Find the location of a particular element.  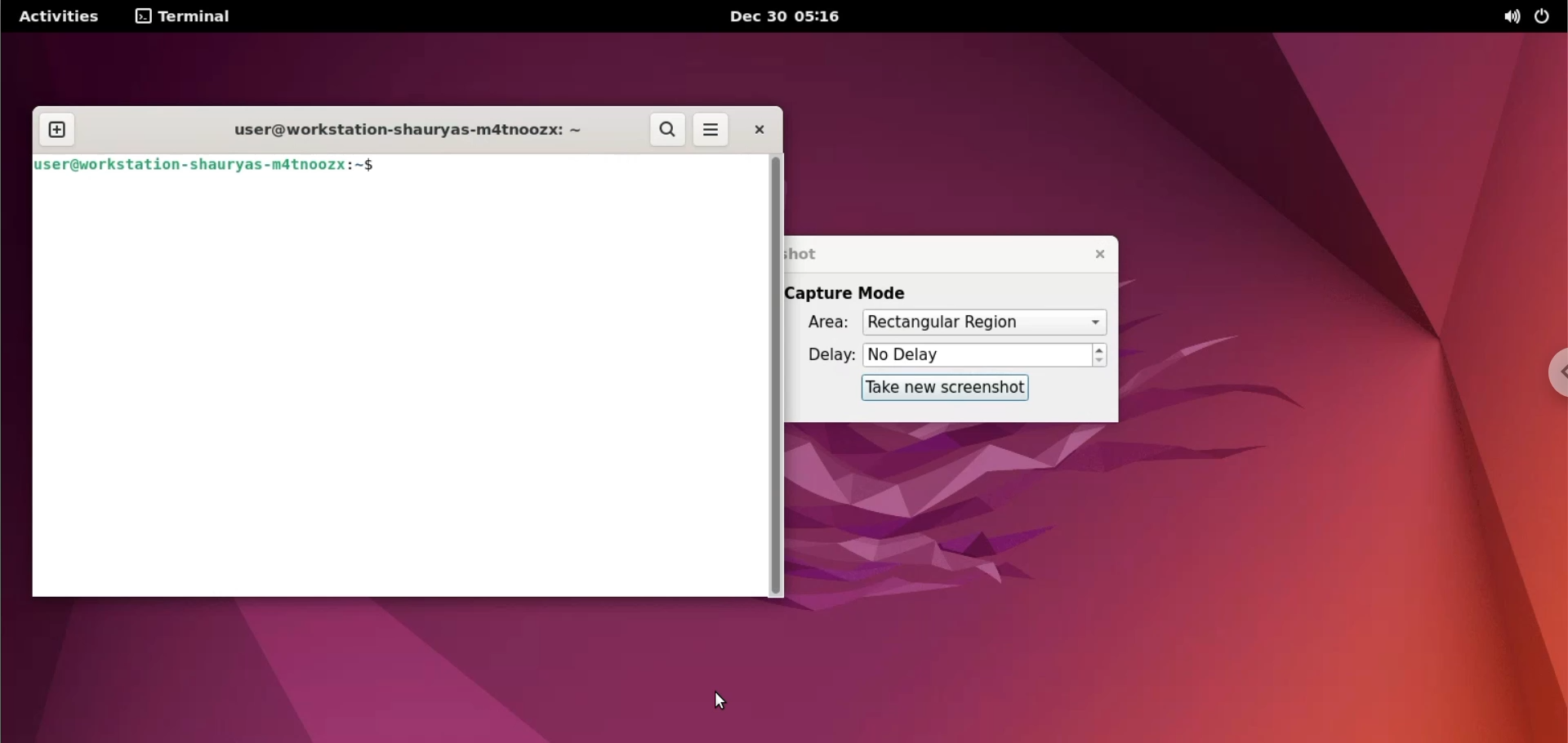

user@workstation-shaurya-m4tnoozx: ~ is located at coordinates (403, 132).